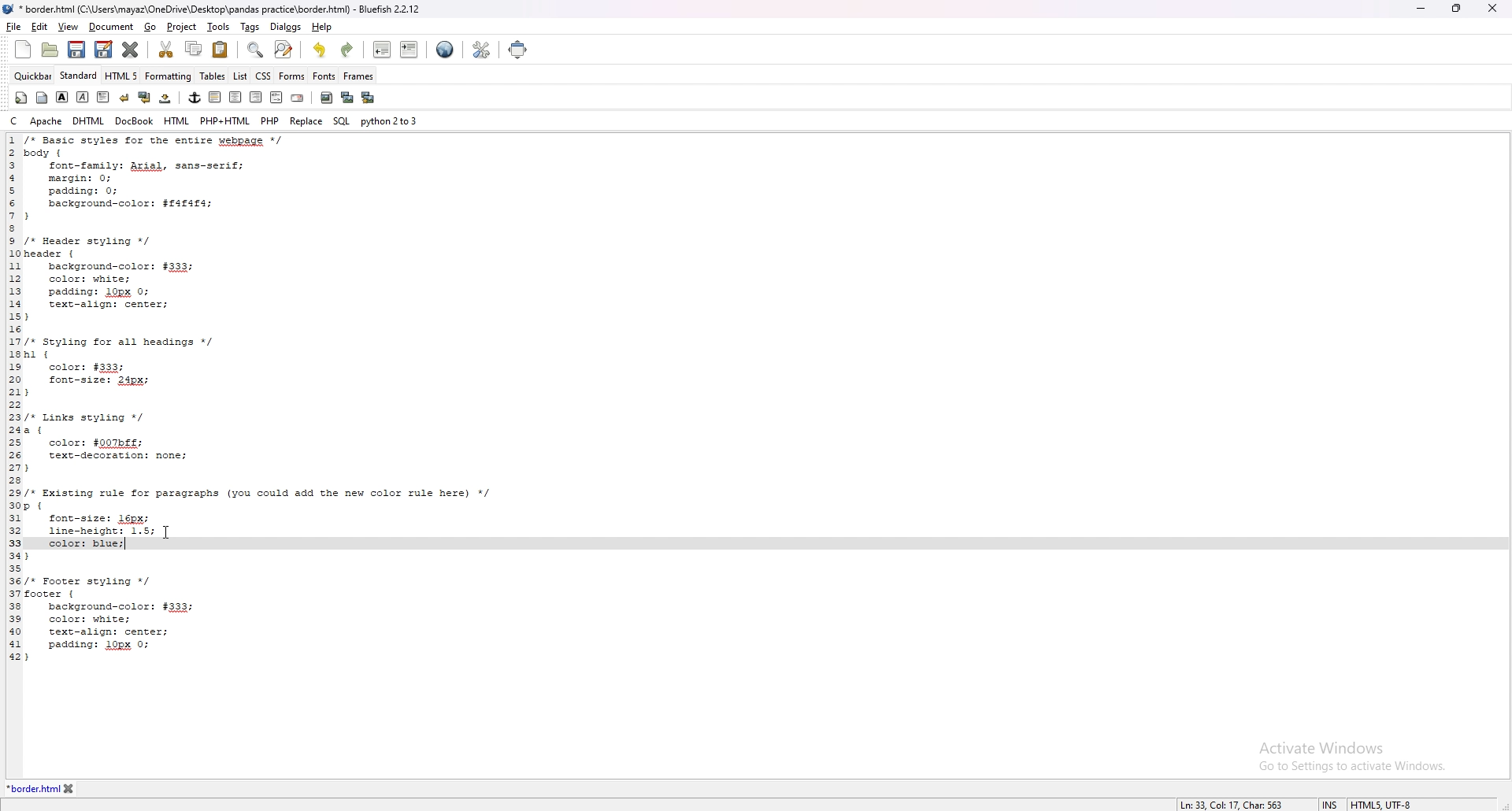  What do you see at coordinates (282, 328) in the screenshot?
I see `code to change text color of all paragraphs` at bounding box center [282, 328].